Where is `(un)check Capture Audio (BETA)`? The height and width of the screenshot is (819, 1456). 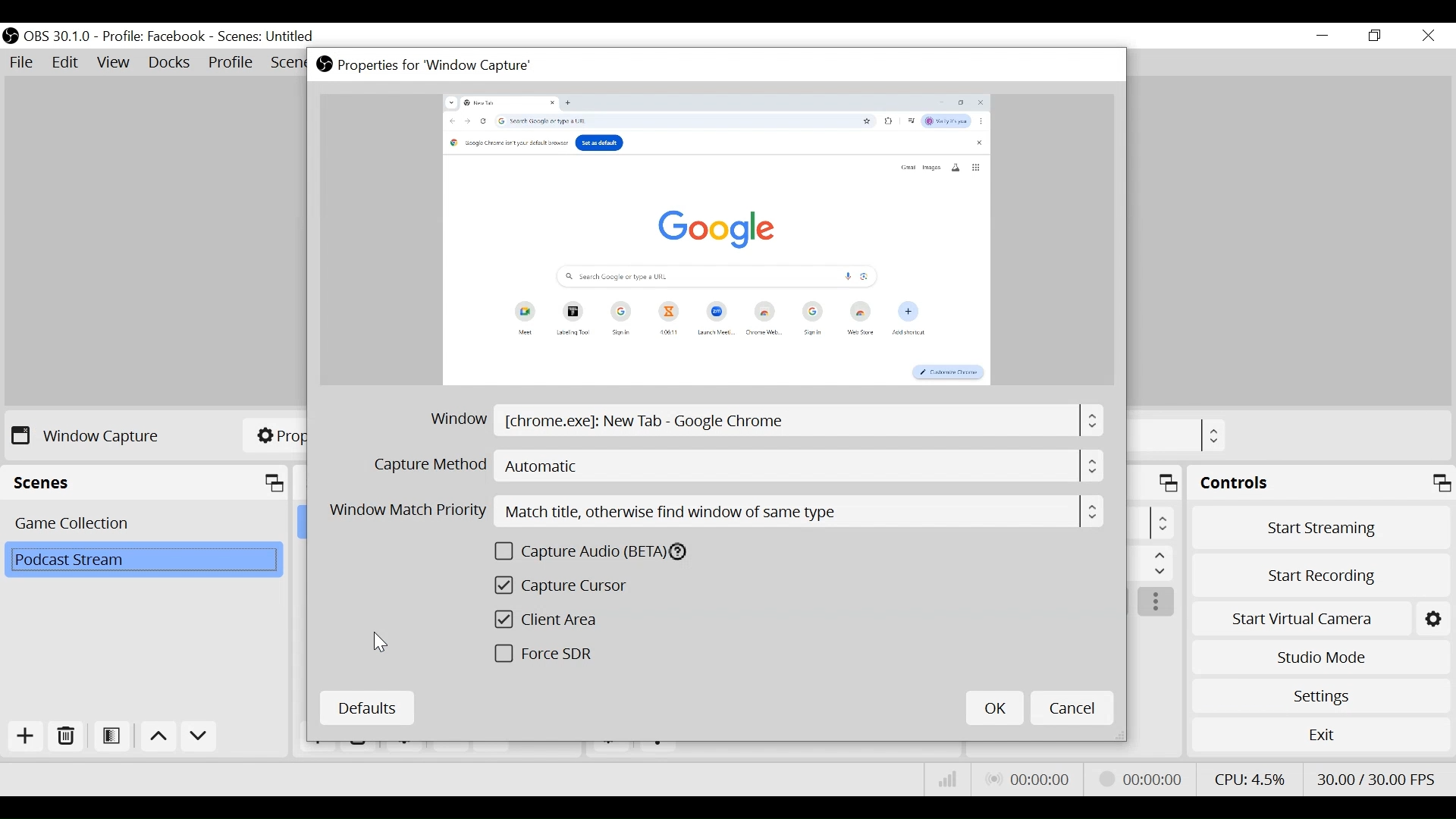
(un)check Capture Audio (BETA) is located at coordinates (610, 551).